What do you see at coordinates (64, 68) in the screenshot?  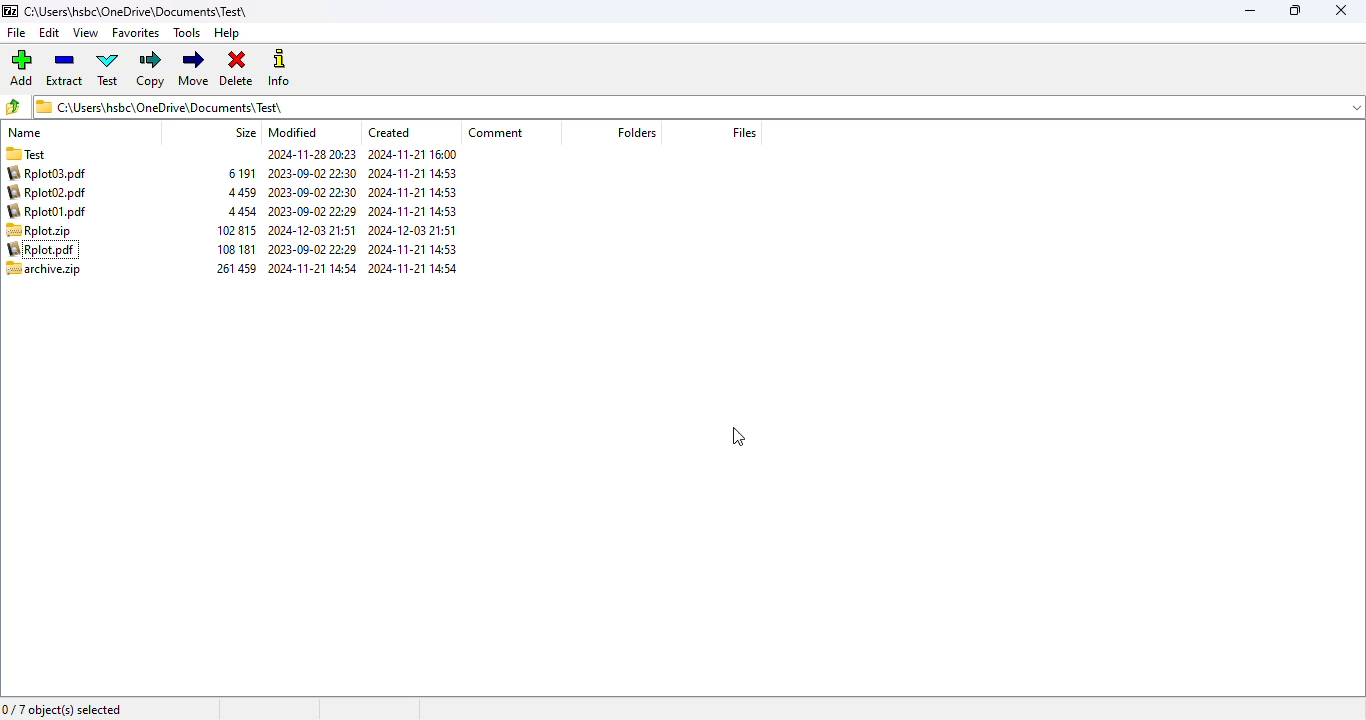 I see `extract` at bounding box center [64, 68].